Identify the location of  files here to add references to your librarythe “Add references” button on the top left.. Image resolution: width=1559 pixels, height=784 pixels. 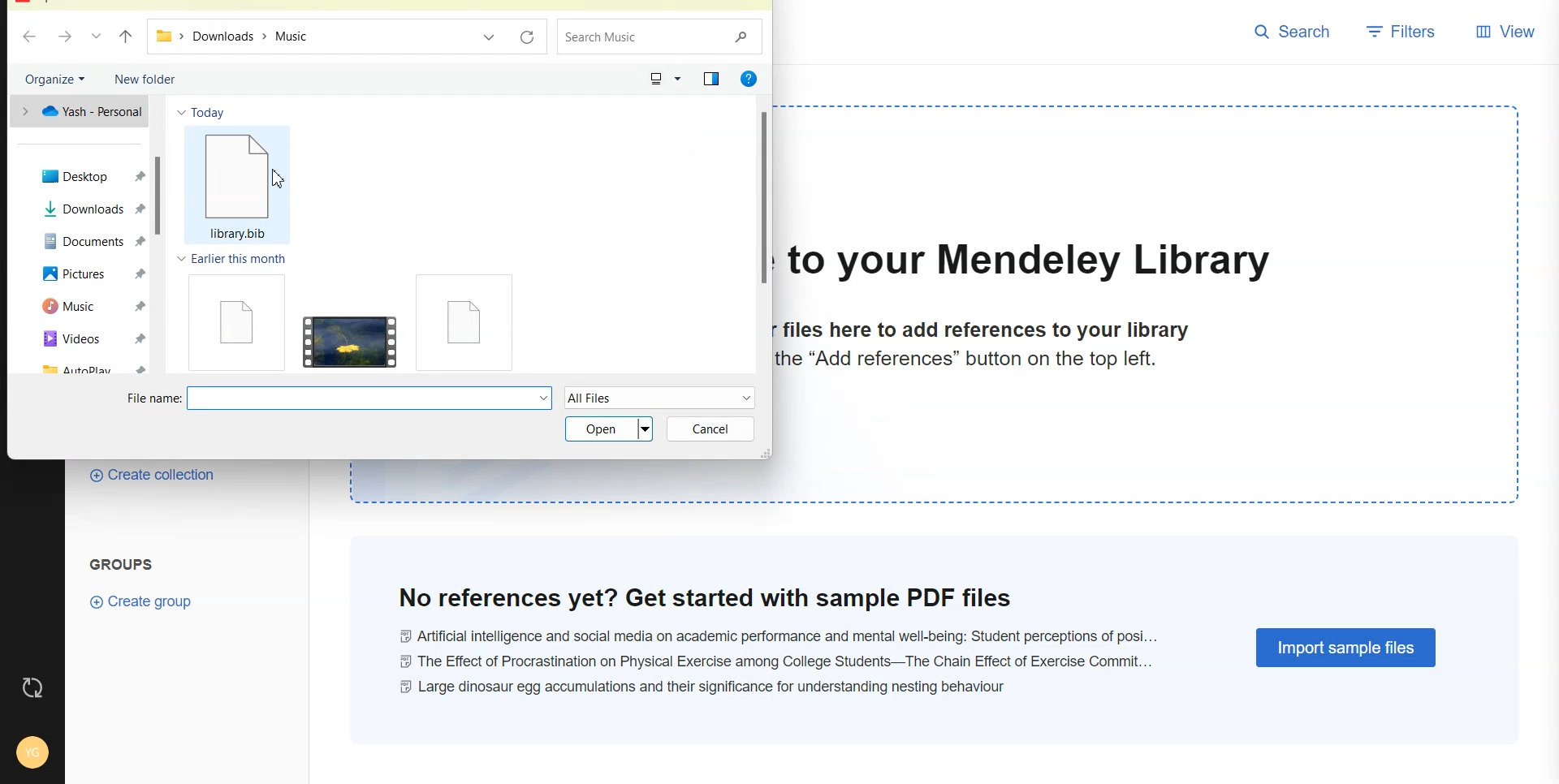
(988, 355).